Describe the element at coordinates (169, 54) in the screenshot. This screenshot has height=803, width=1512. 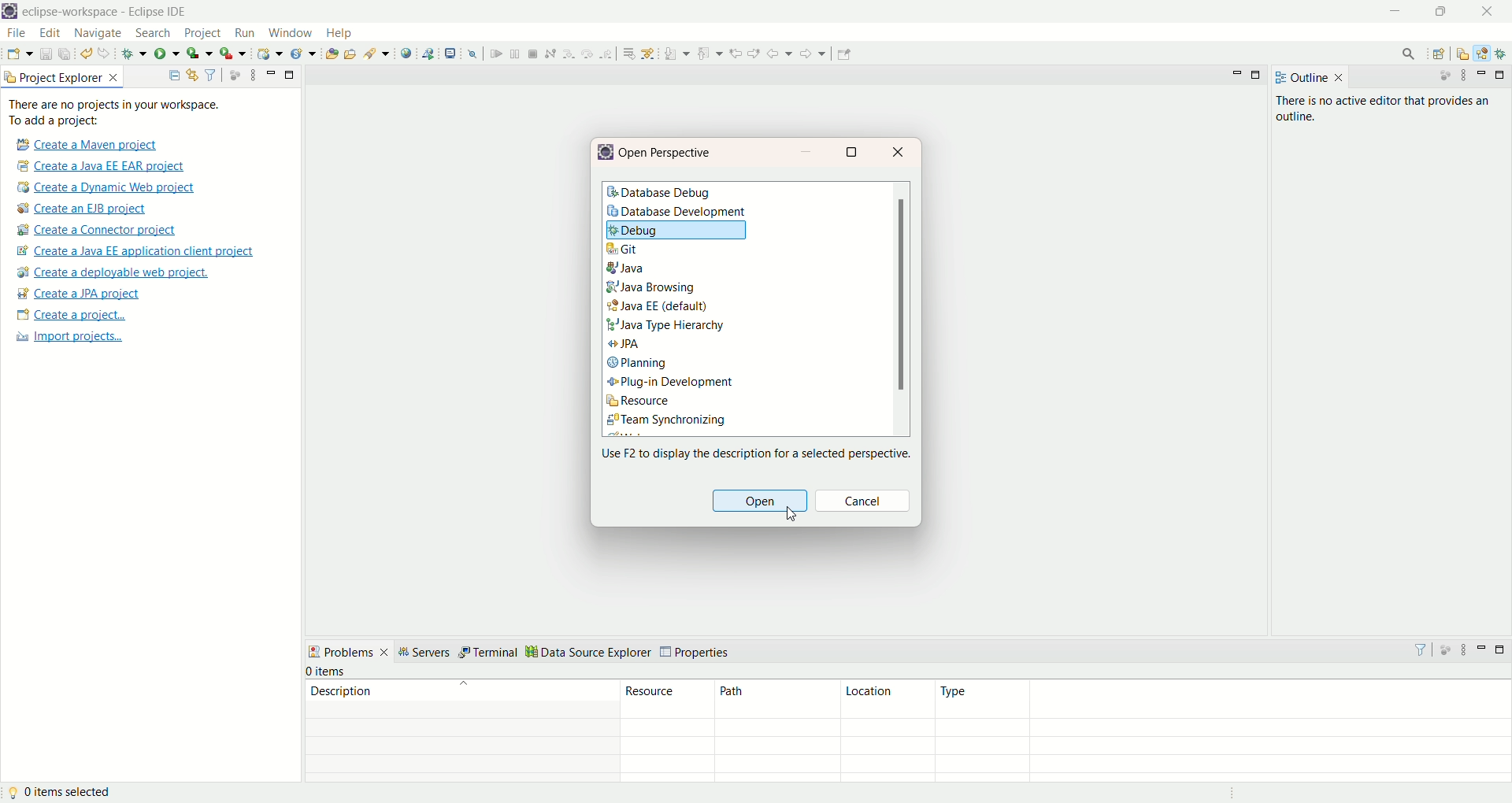
I see `run` at that location.